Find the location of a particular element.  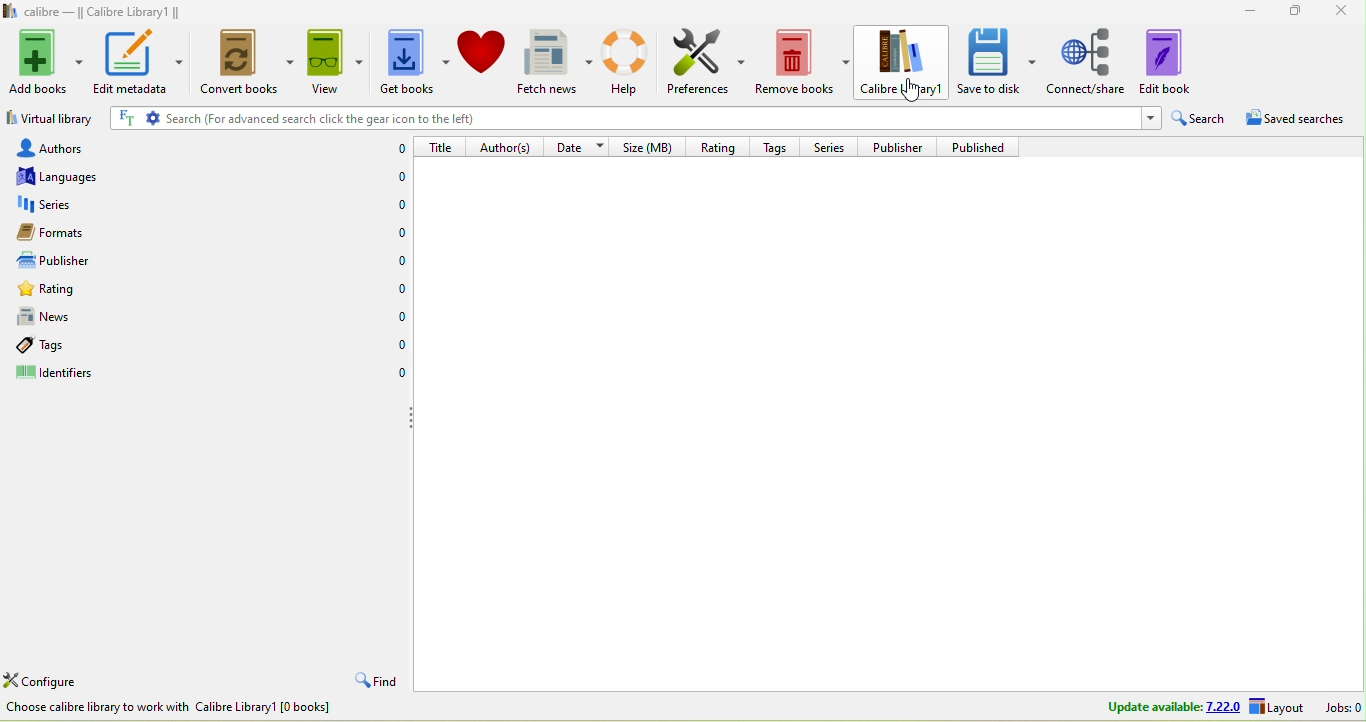

choose calibre library to work with calibrery library 1 [0 books] is located at coordinates (197, 710).